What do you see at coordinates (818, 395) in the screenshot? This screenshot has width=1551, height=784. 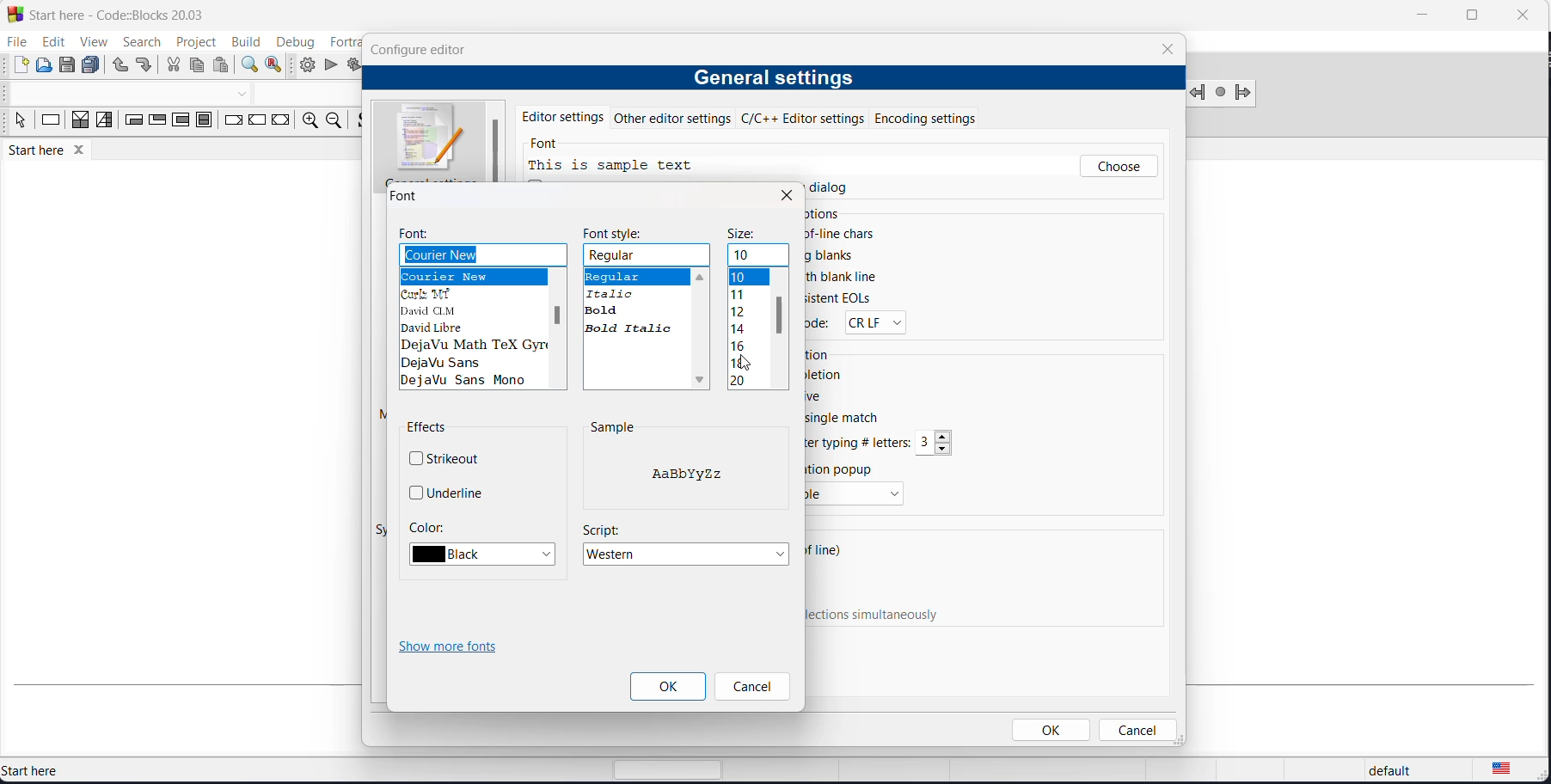 I see `ve` at bounding box center [818, 395].